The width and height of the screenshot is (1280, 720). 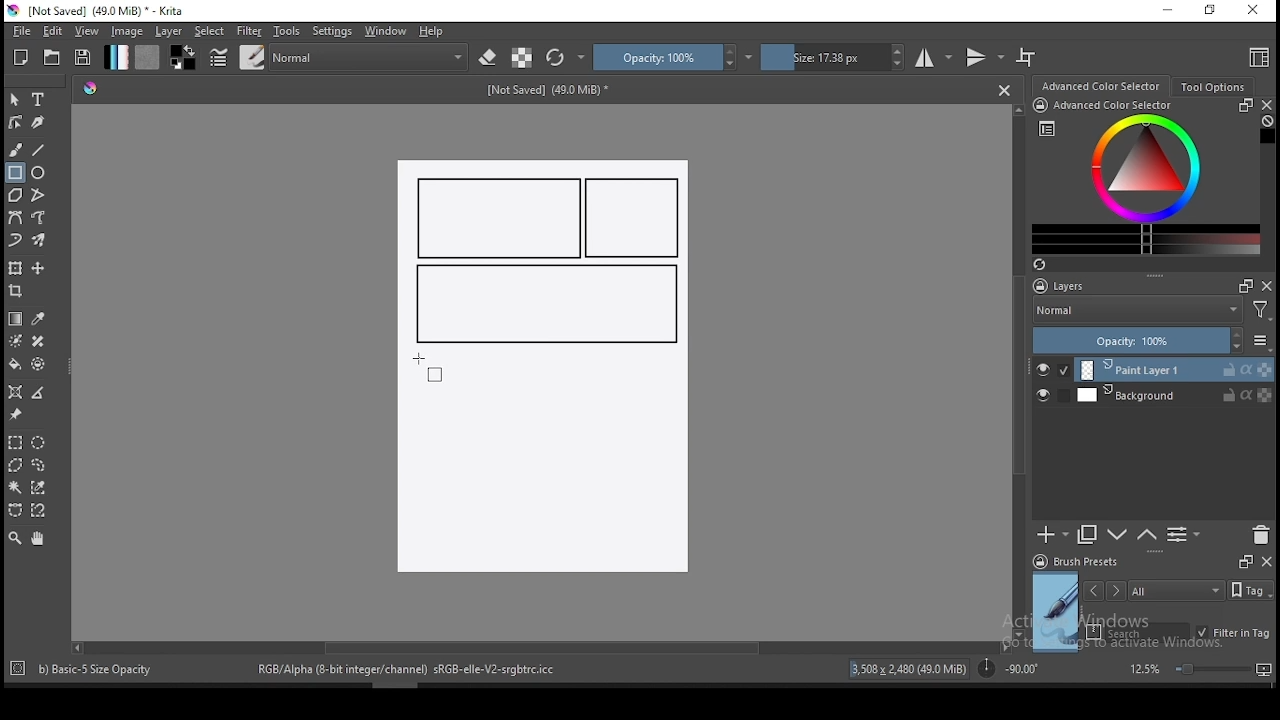 I want to click on tools, so click(x=287, y=31).